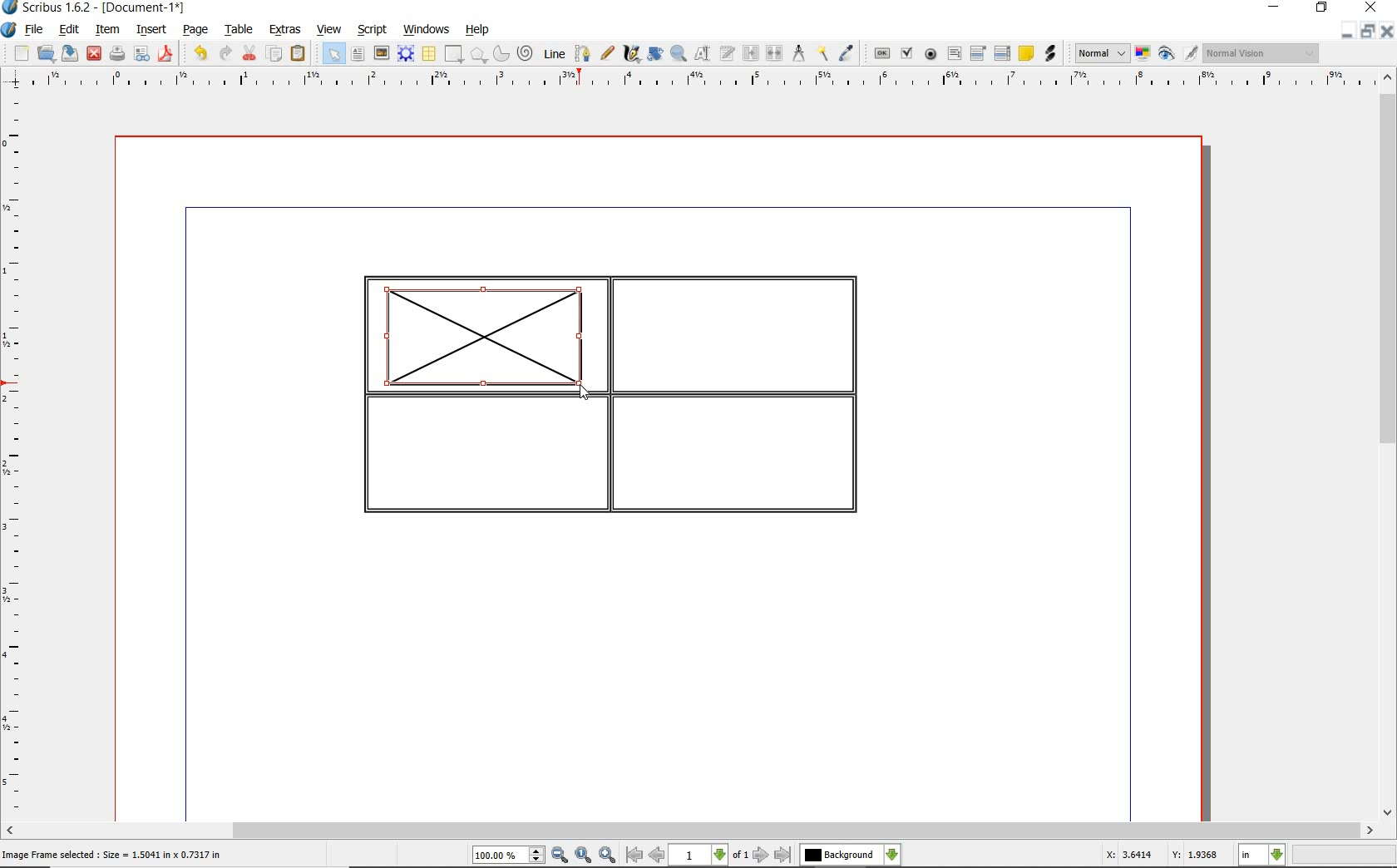 The width and height of the screenshot is (1397, 868). What do you see at coordinates (608, 856) in the screenshot?
I see `zoom in` at bounding box center [608, 856].